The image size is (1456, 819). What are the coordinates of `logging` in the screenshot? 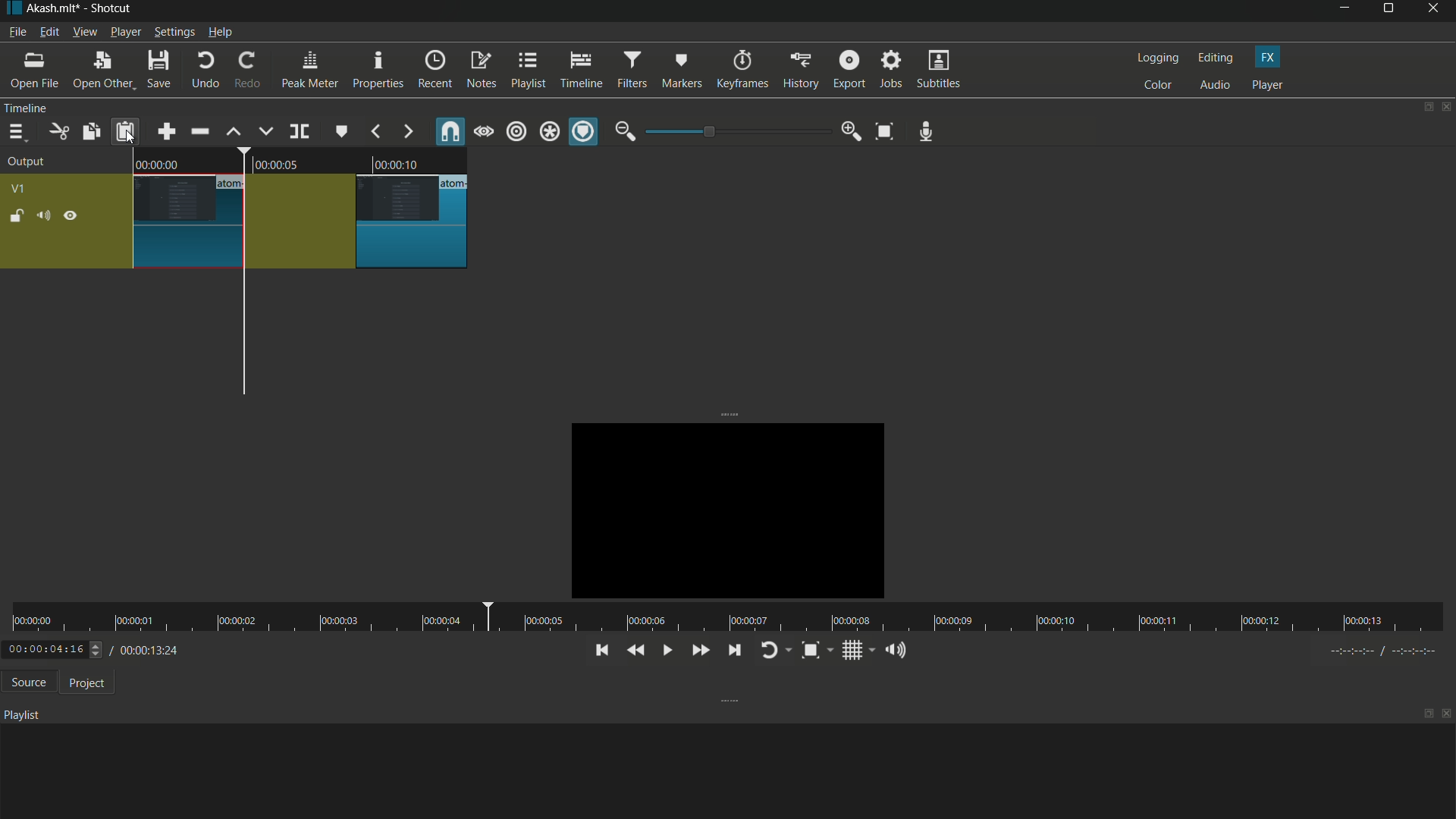 It's located at (1155, 58).